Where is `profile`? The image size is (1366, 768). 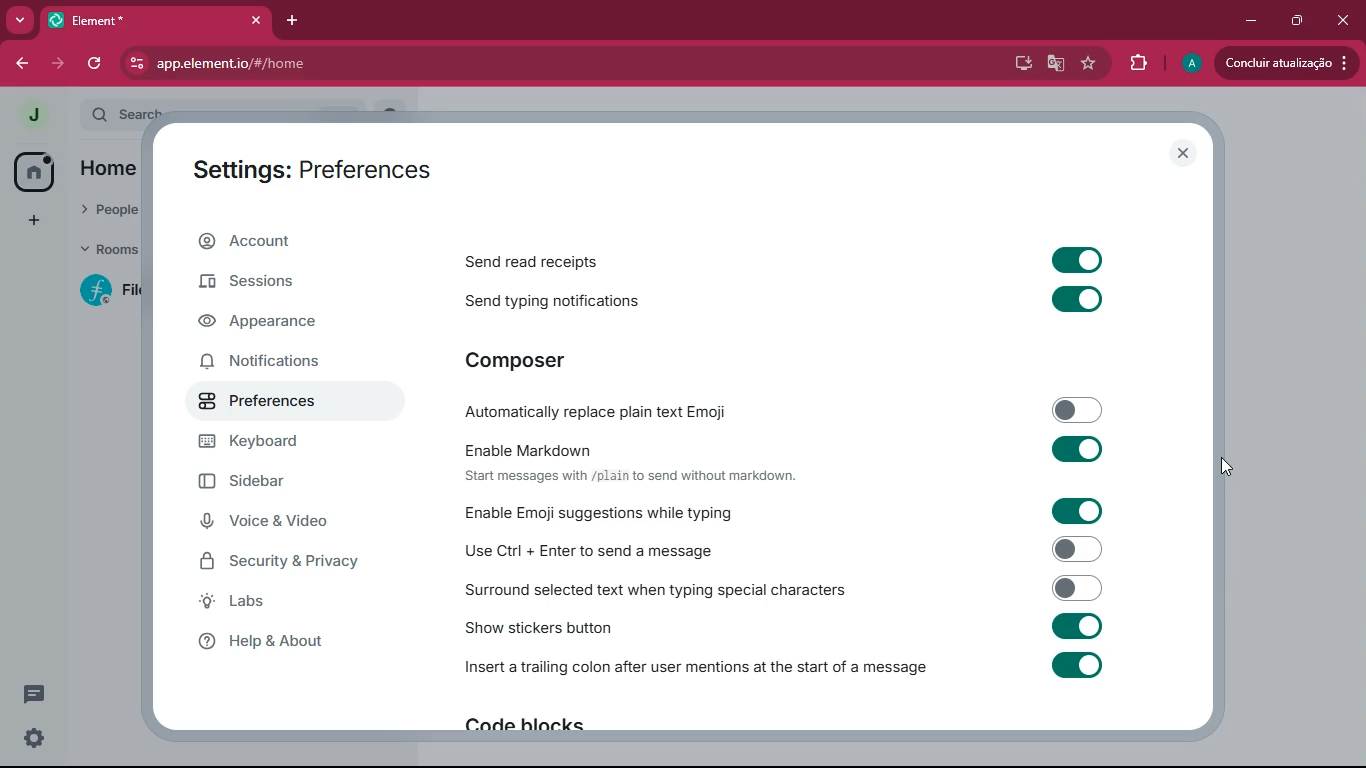 profile is located at coordinates (1190, 63).